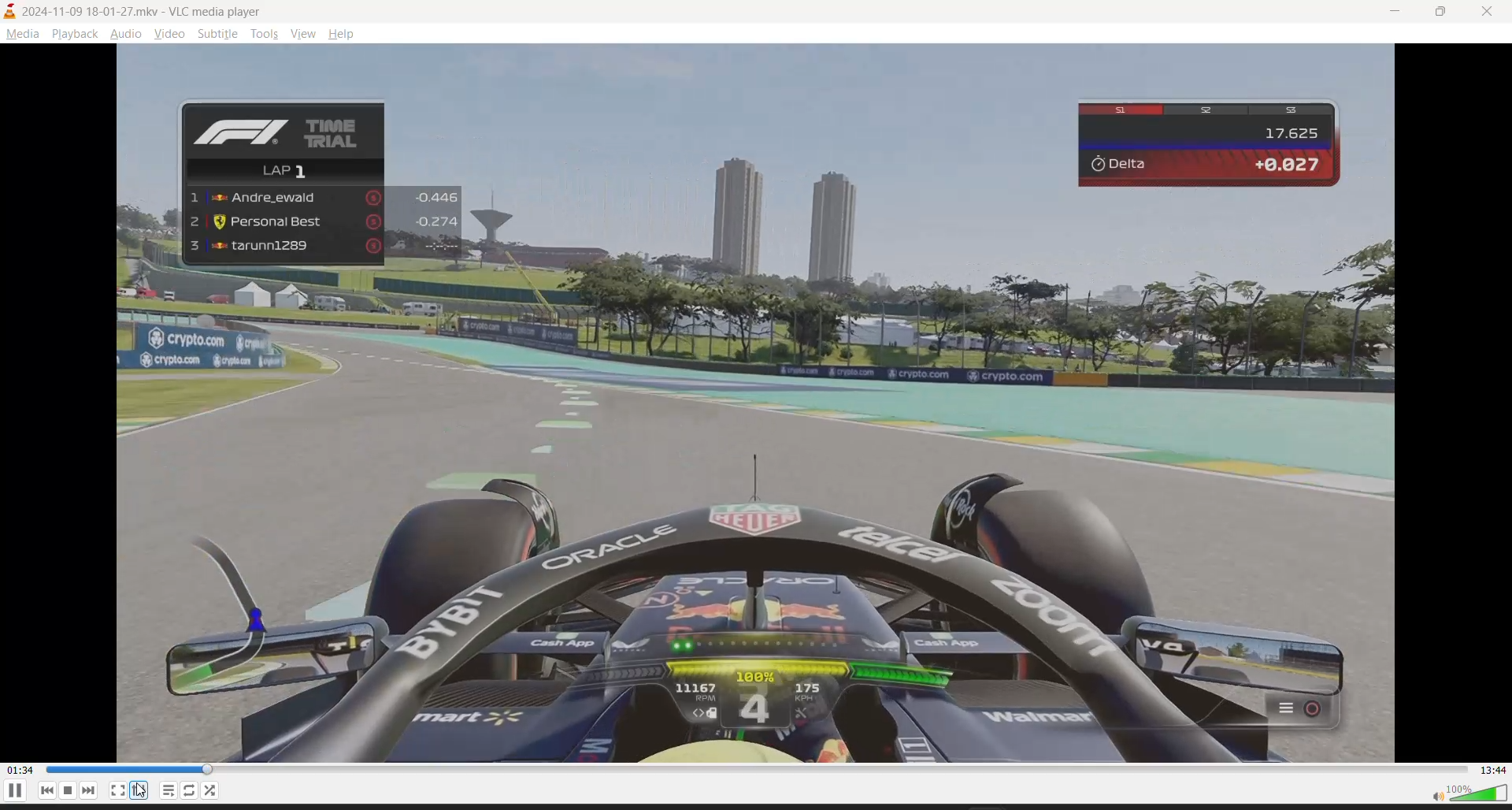  I want to click on Cursor, so click(146, 790).